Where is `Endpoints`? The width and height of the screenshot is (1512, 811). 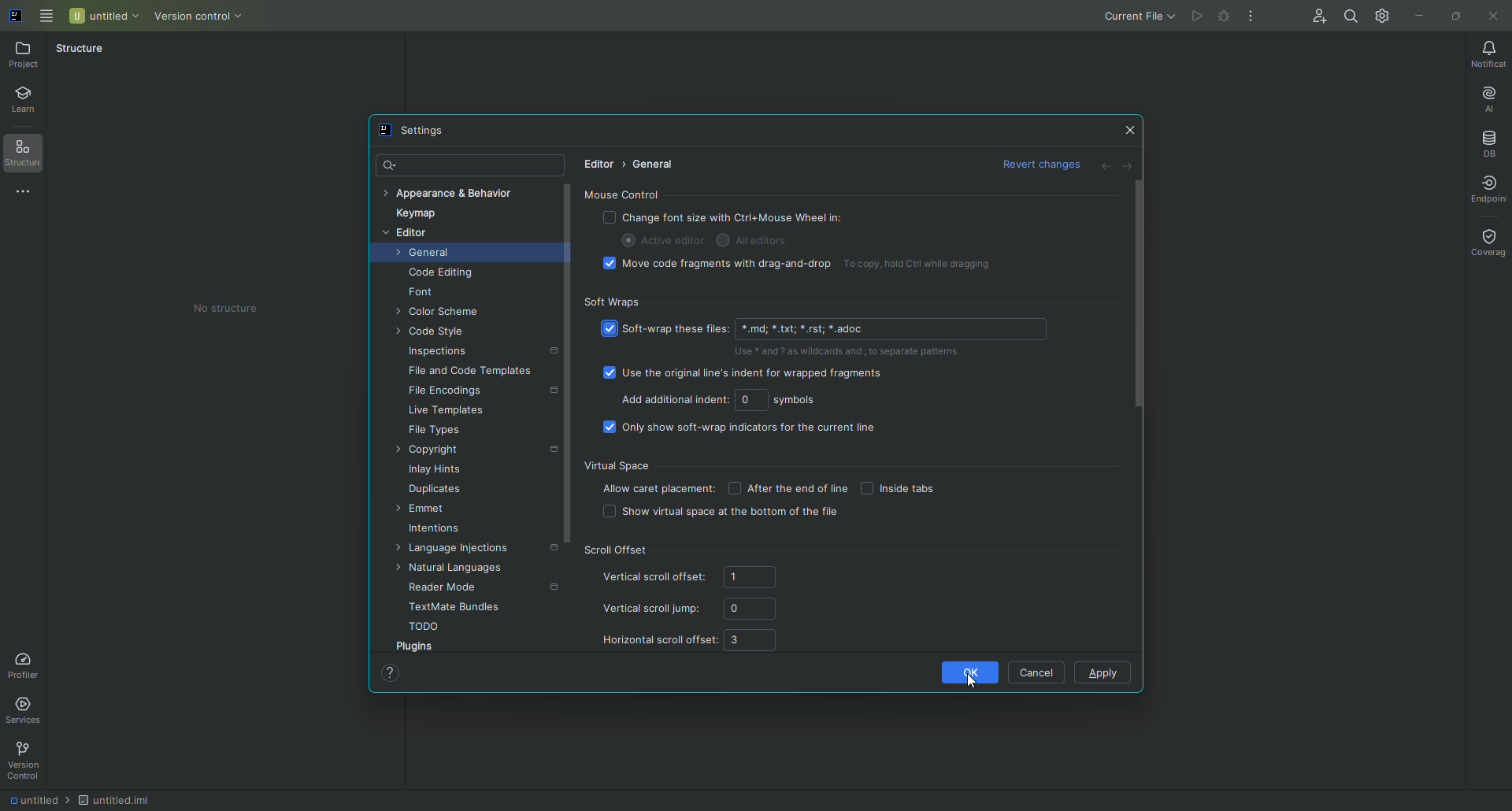 Endpoints is located at coordinates (1488, 187).